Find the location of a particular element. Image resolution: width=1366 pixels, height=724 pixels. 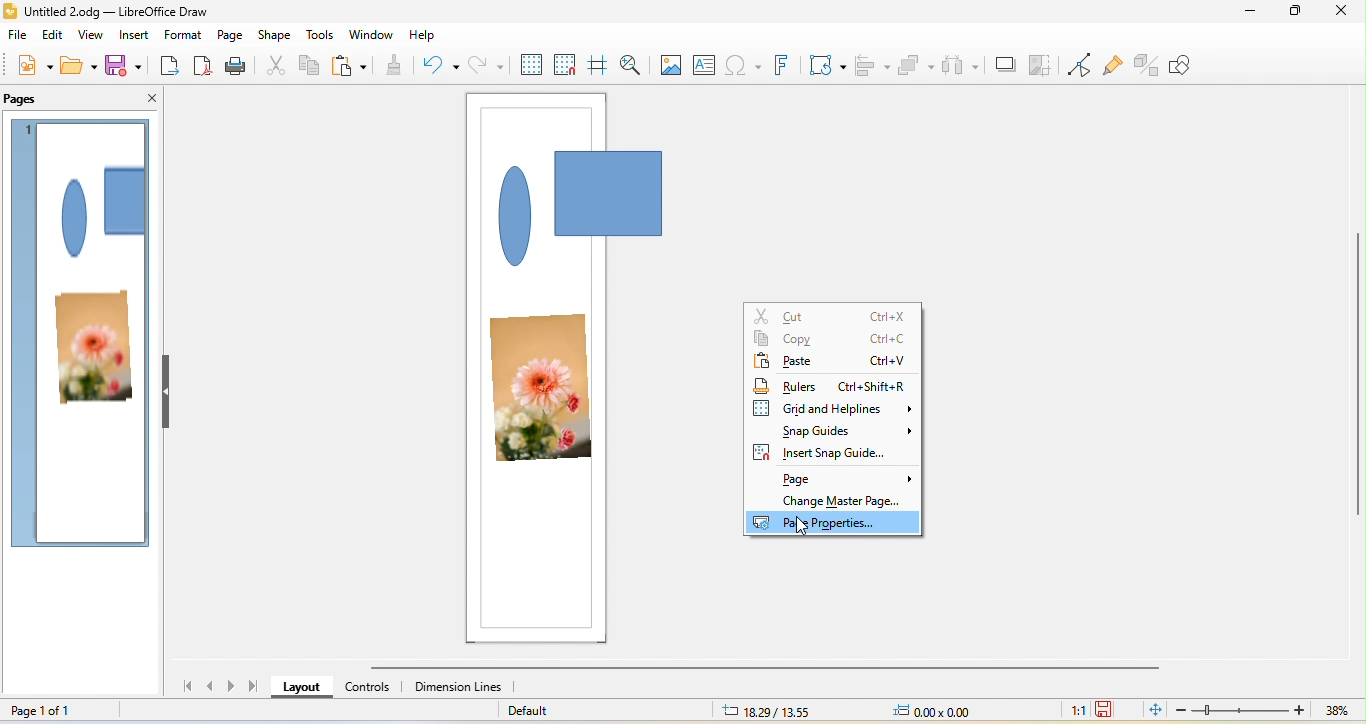

special character is located at coordinates (745, 66).